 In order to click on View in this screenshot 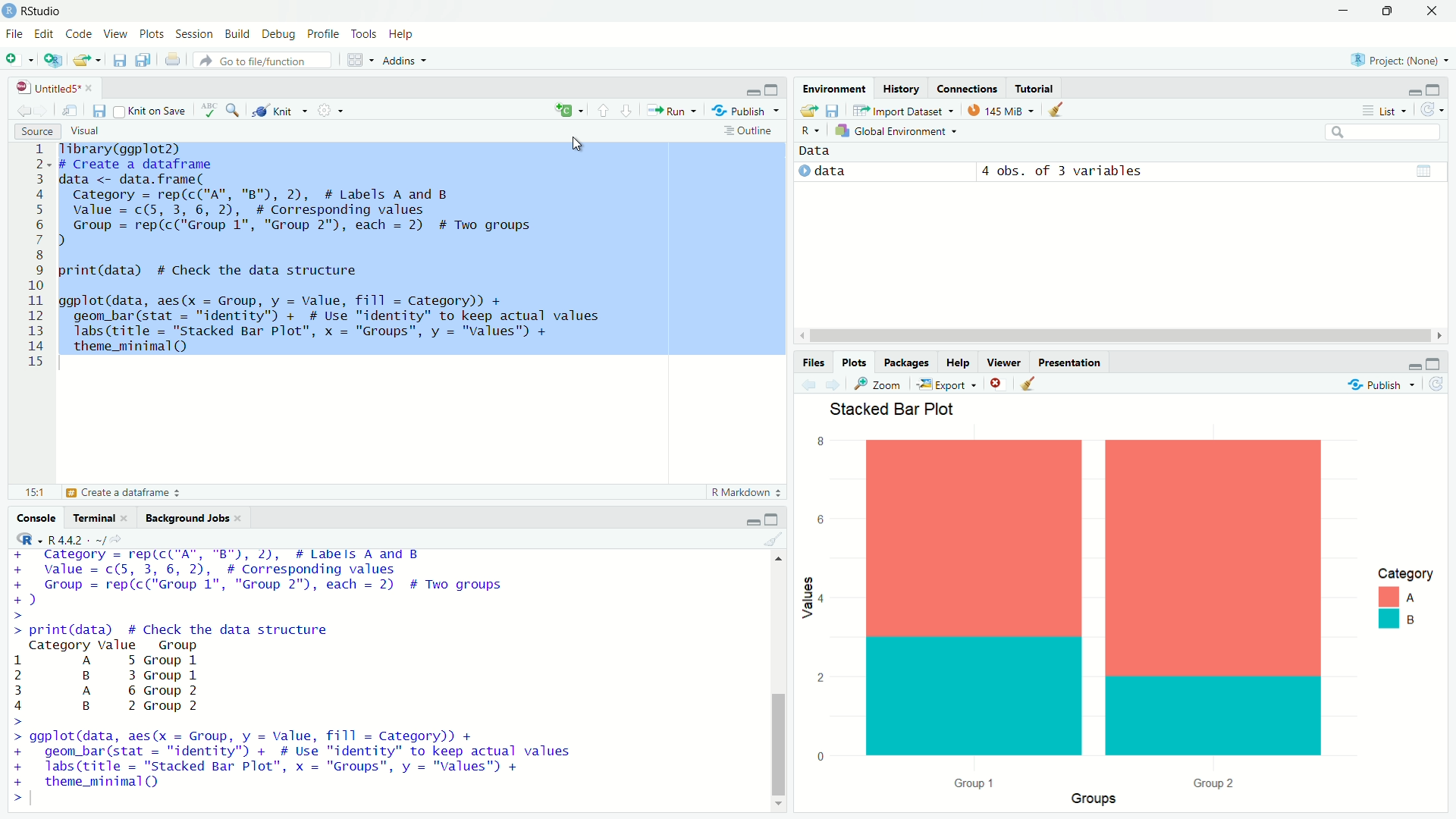, I will do `click(116, 34)`.